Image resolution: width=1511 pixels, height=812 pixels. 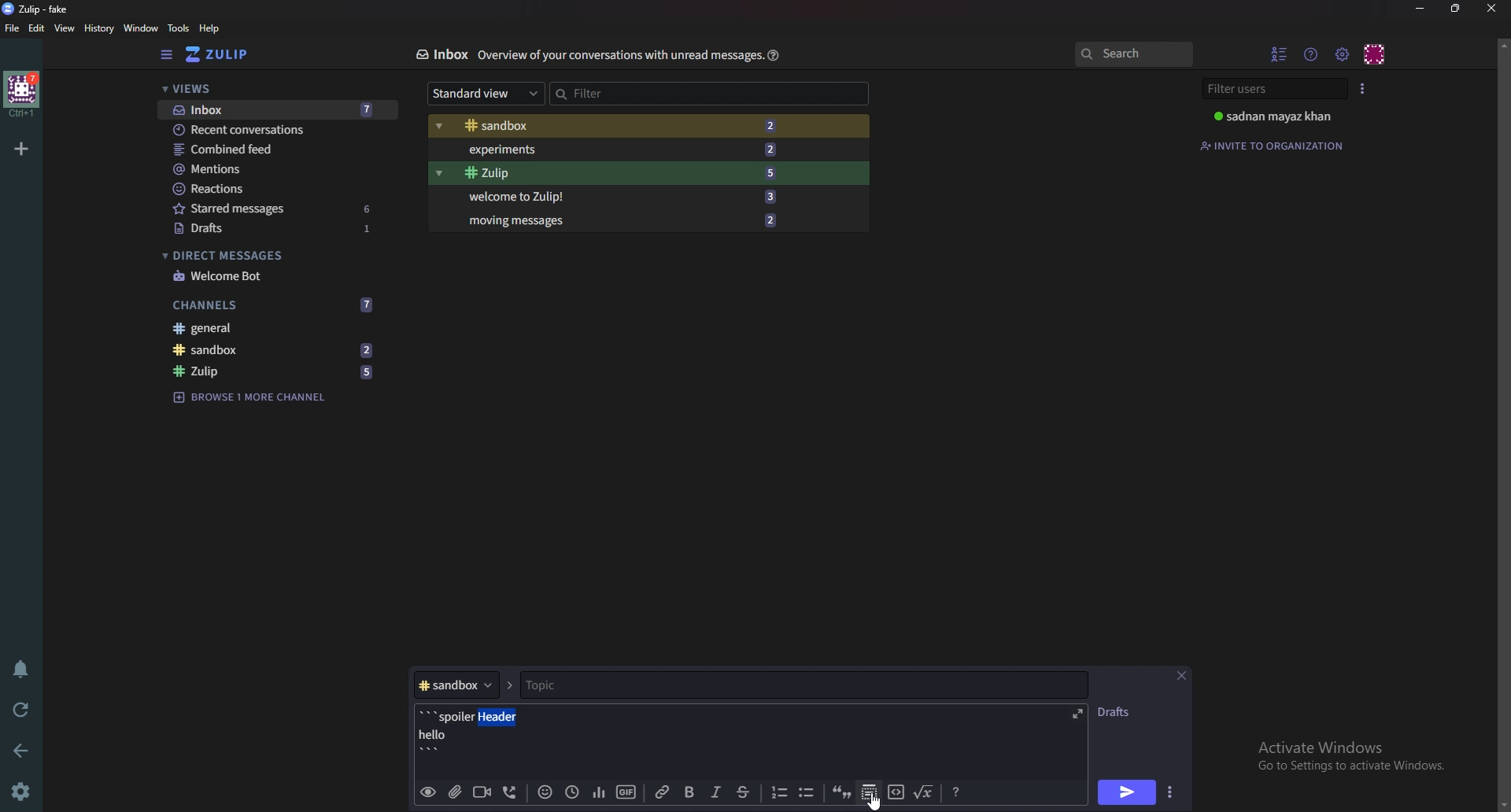 I want to click on send, so click(x=1129, y=791).